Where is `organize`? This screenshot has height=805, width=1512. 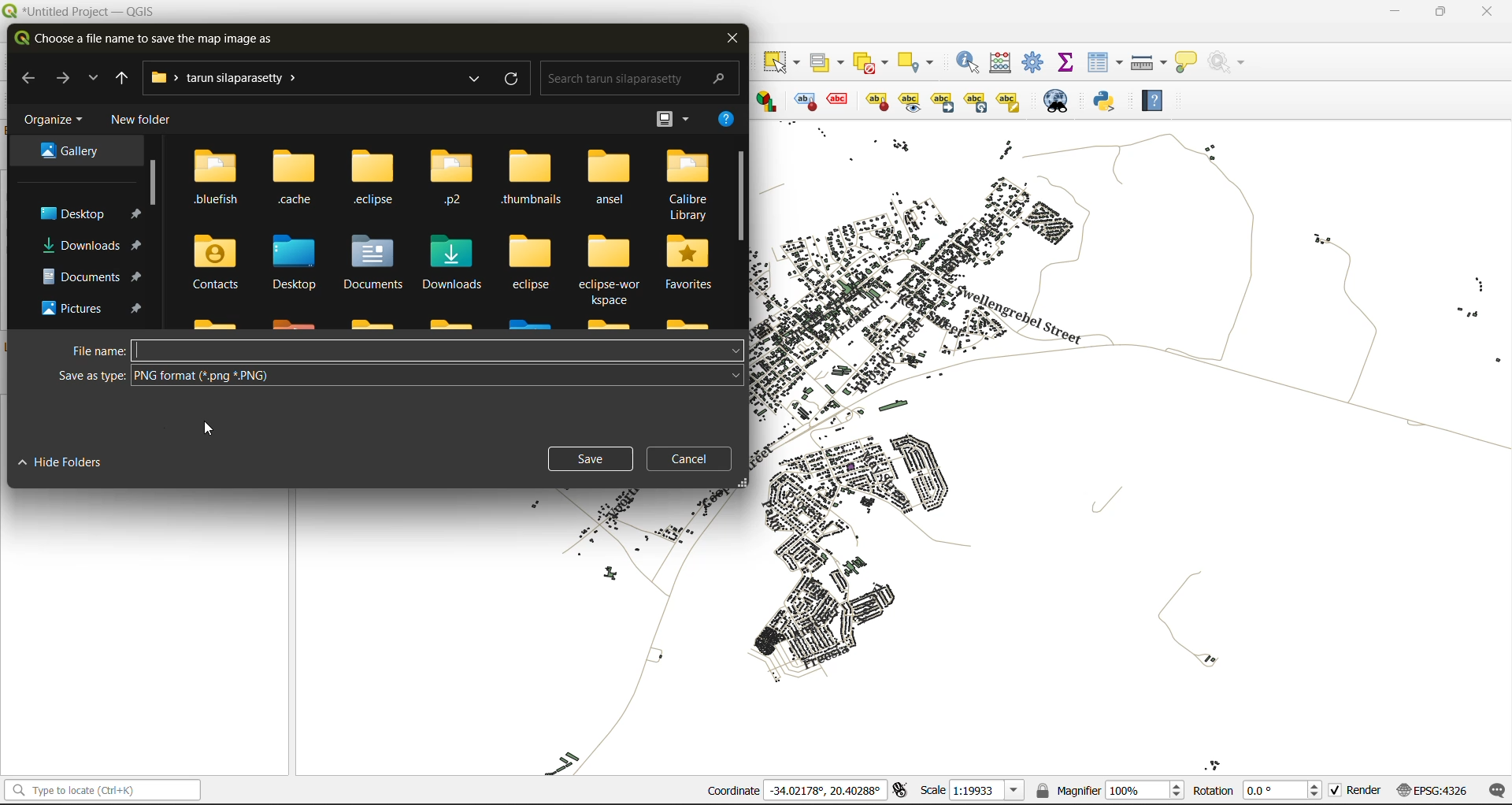 organize is located at coordinates (55, 119).